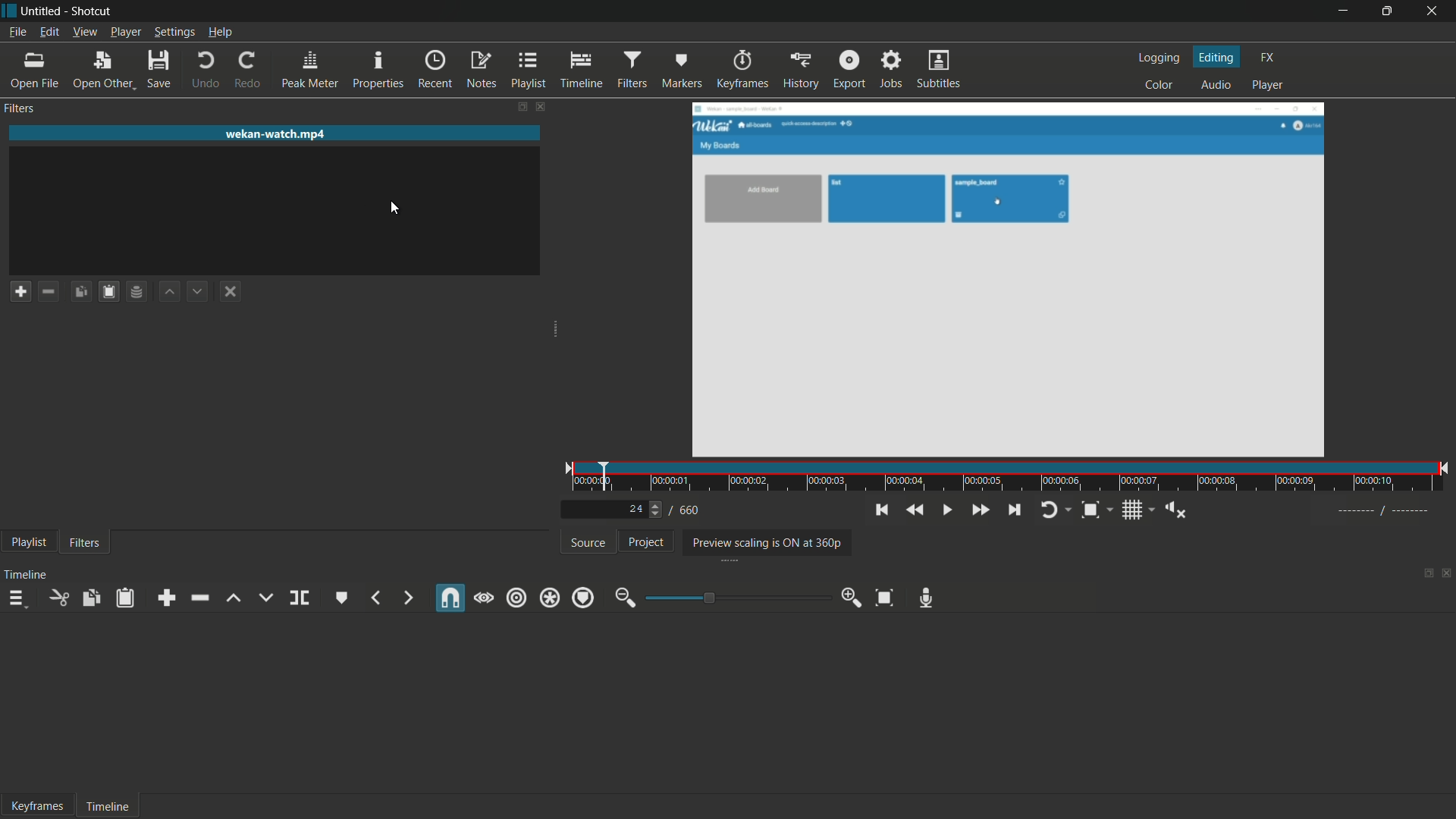 Image resolution: width=1456 pixels, height=819 pixels. I want to click on timeline, so click(582, 70).